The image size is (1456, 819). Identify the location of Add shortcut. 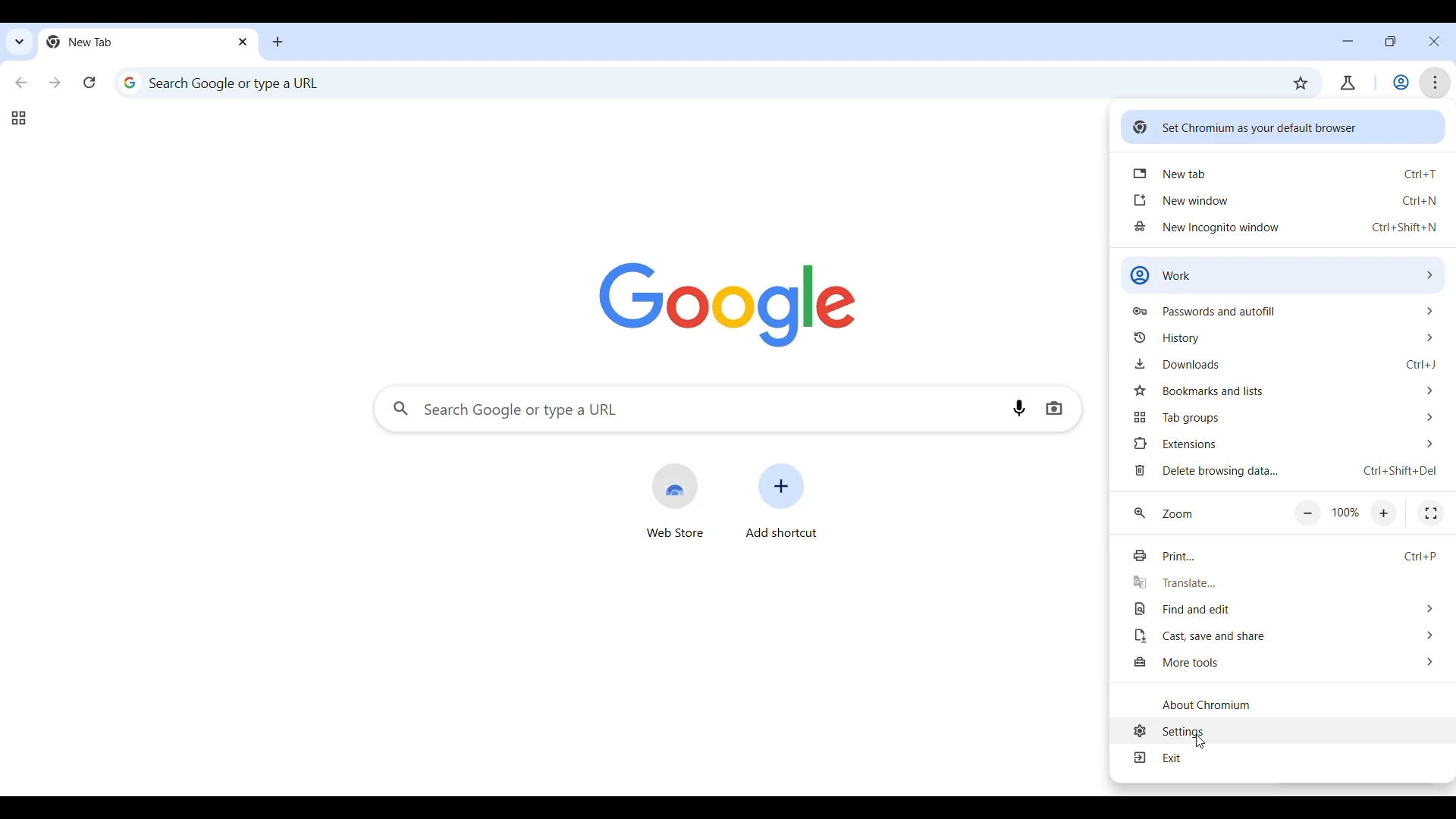
(781, 500).